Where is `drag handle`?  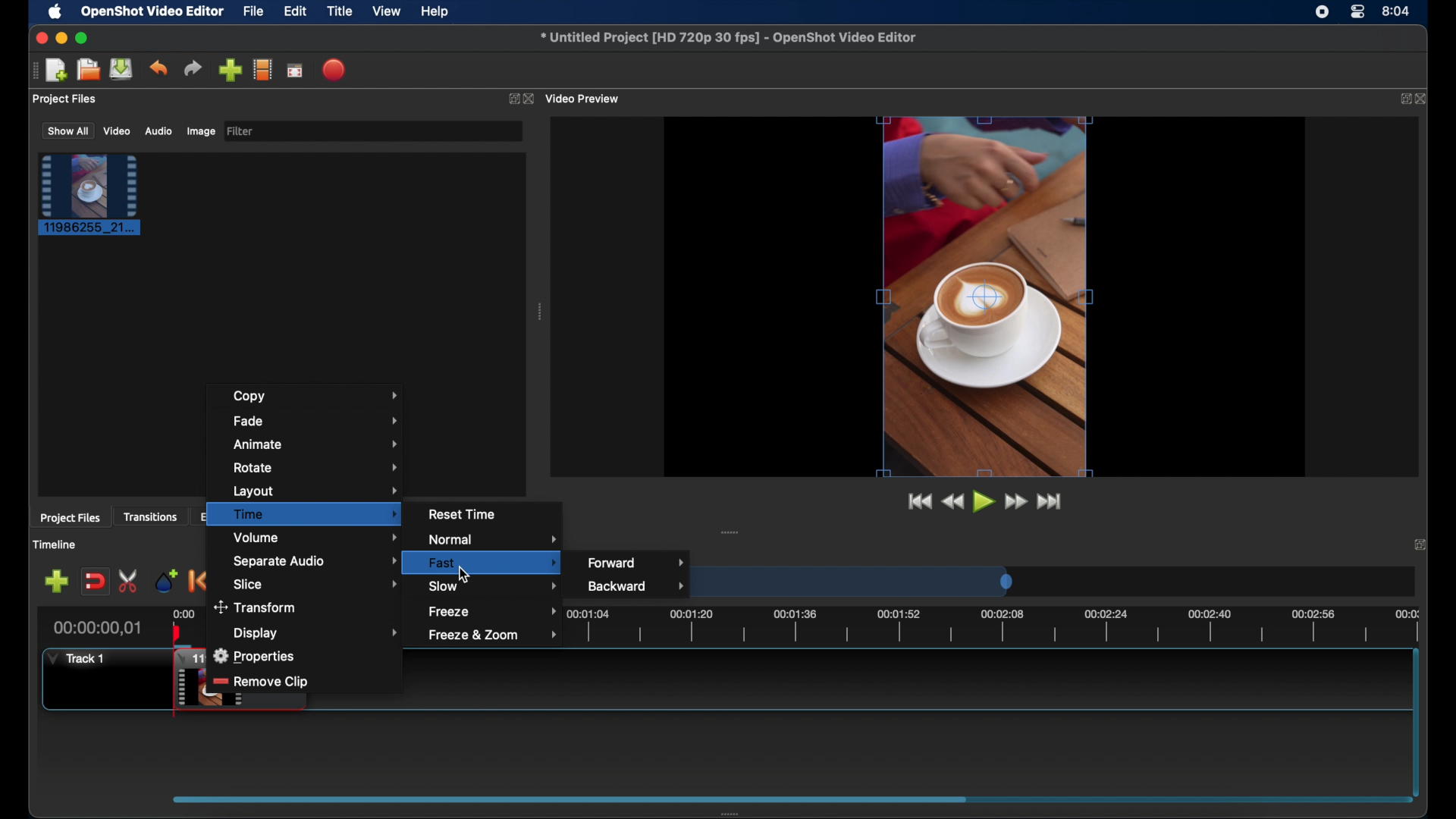
drag handle is located at coordinates (32, 71).